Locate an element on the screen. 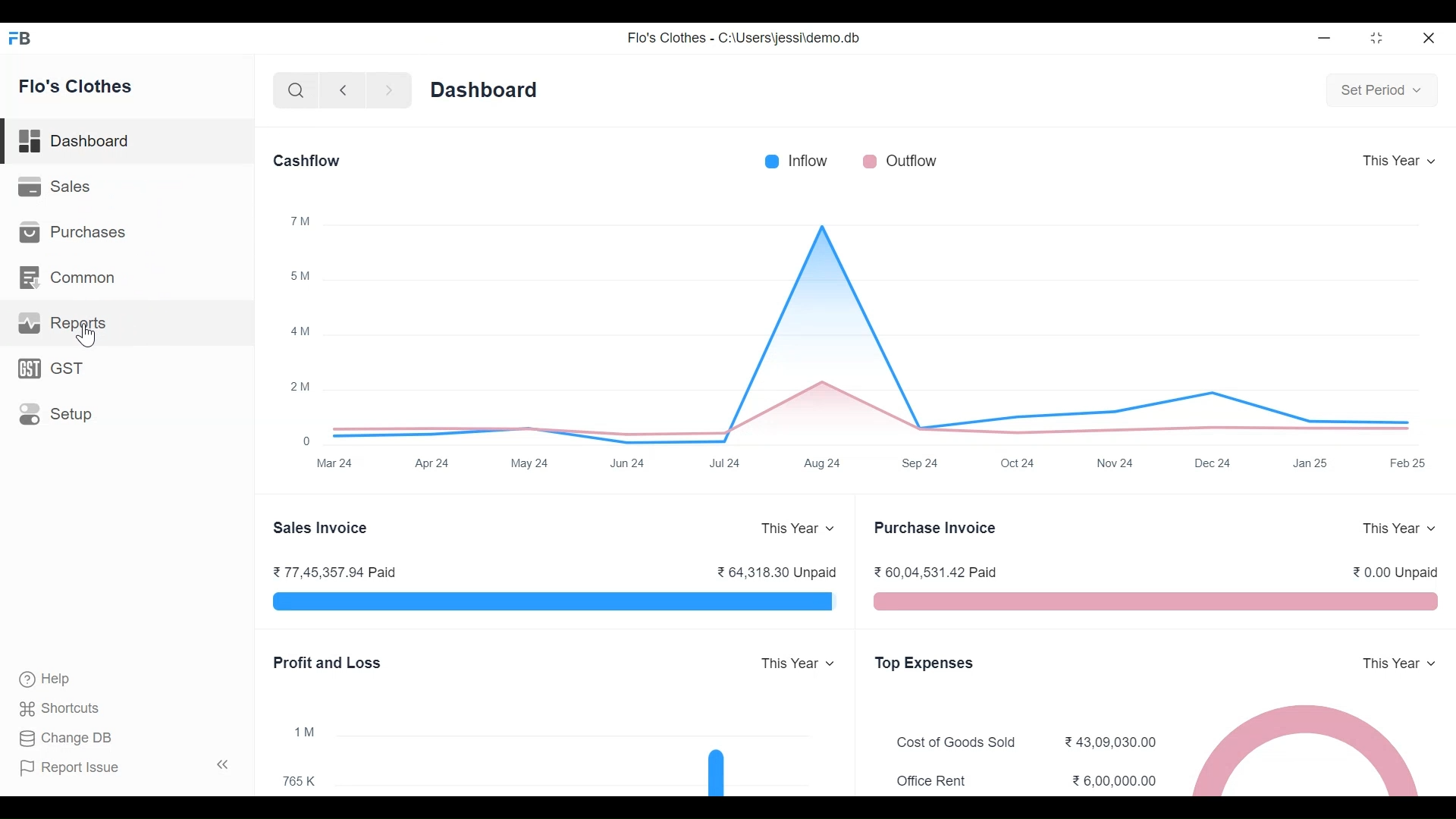 This screenshot has height=819, width=1456. Set Period  is located at coordinates (1382, 93).